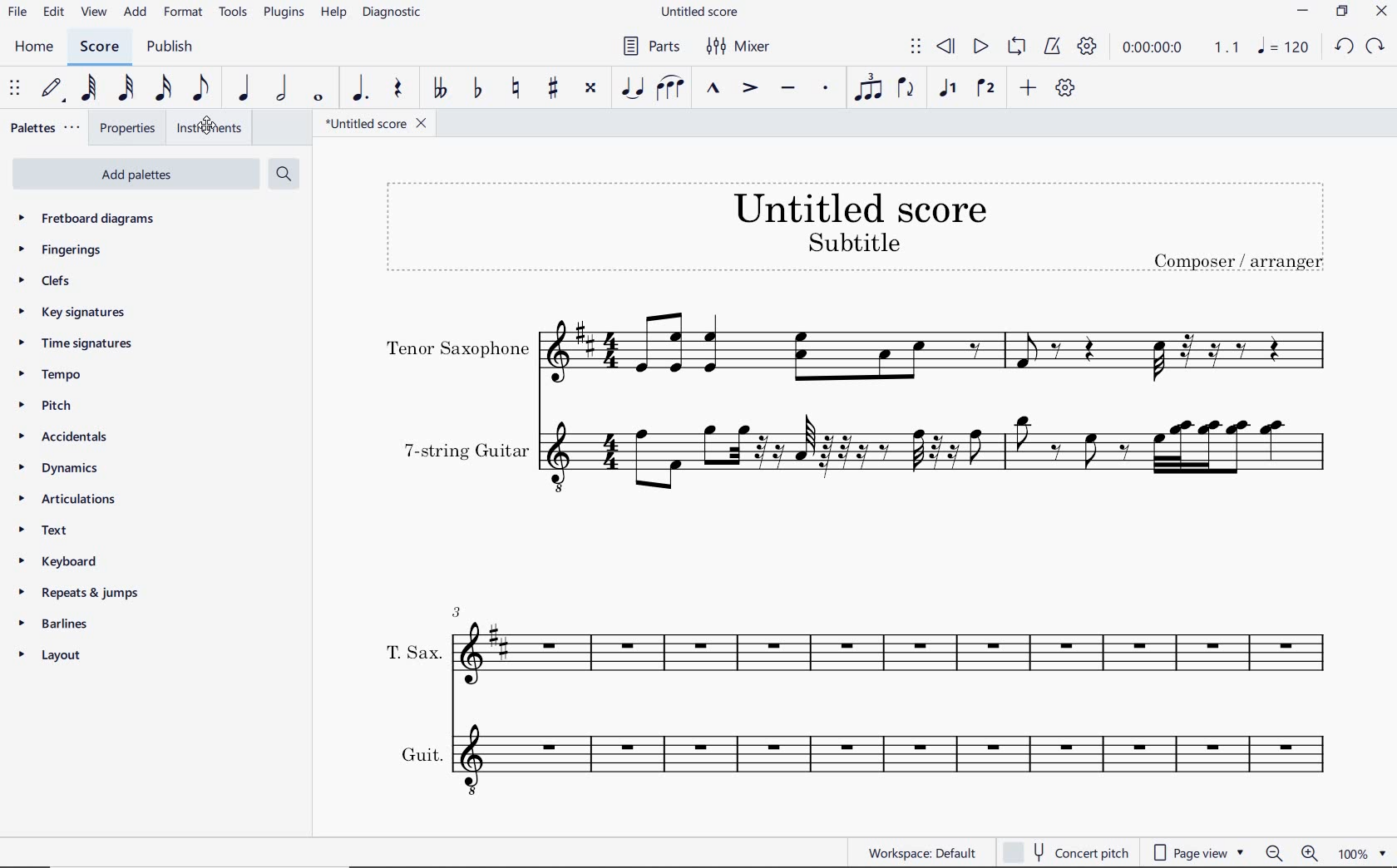 Image resolution: width=1397 pixels, height=868 pixels. Describe the element at coordinates (320, 99) in the screenshot. I see `WHOLE NOTE` at that location.